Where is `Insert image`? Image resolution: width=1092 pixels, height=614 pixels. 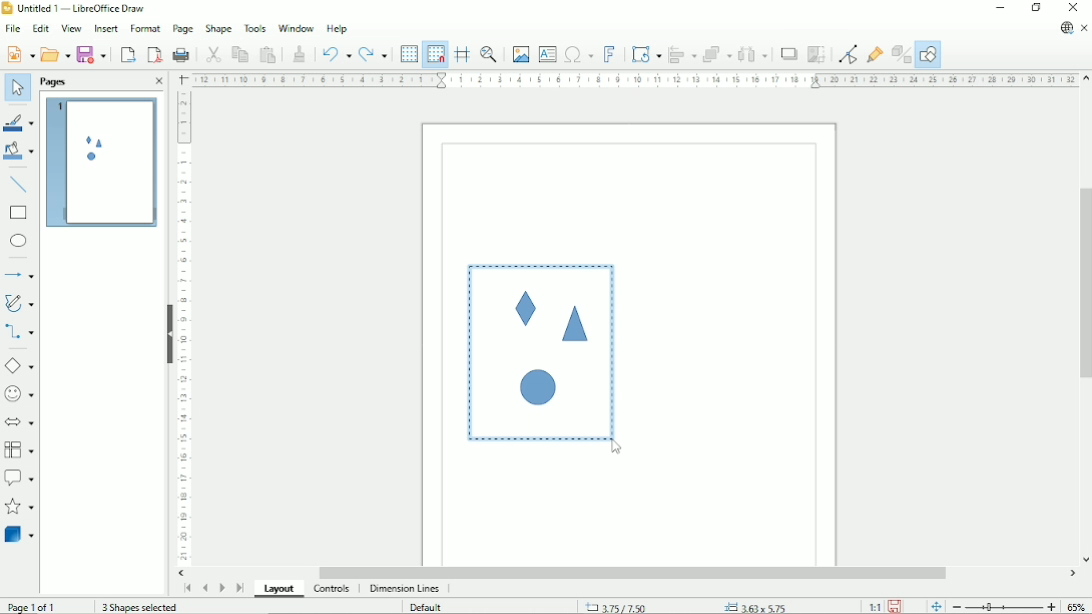
Insert image is located at coordinates (521, 55).